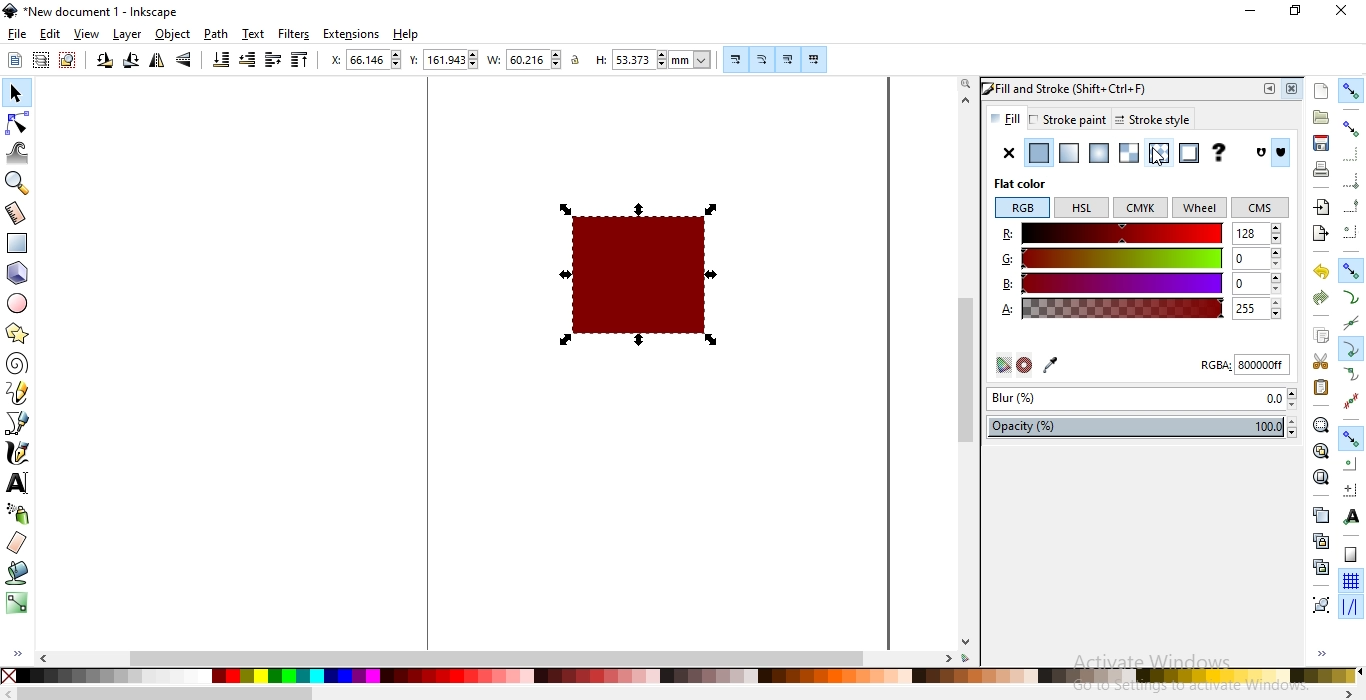 The height and width of the screenshot is (700, 1366). Describe the element at coordinates (1099, 154) in the screenshot. I see `radial gradient` at that location.